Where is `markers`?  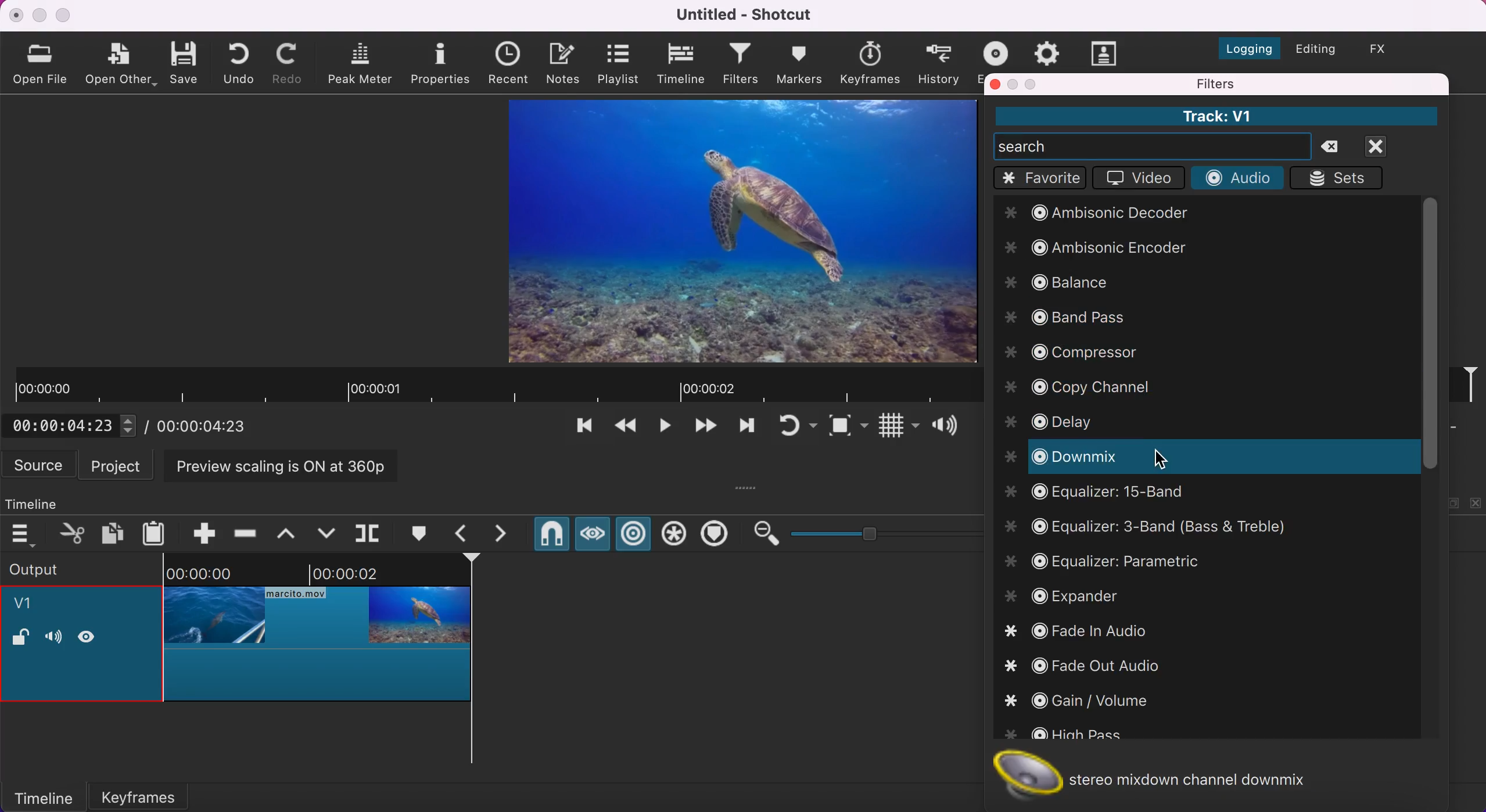 markers is located at coordinates (799, 63).